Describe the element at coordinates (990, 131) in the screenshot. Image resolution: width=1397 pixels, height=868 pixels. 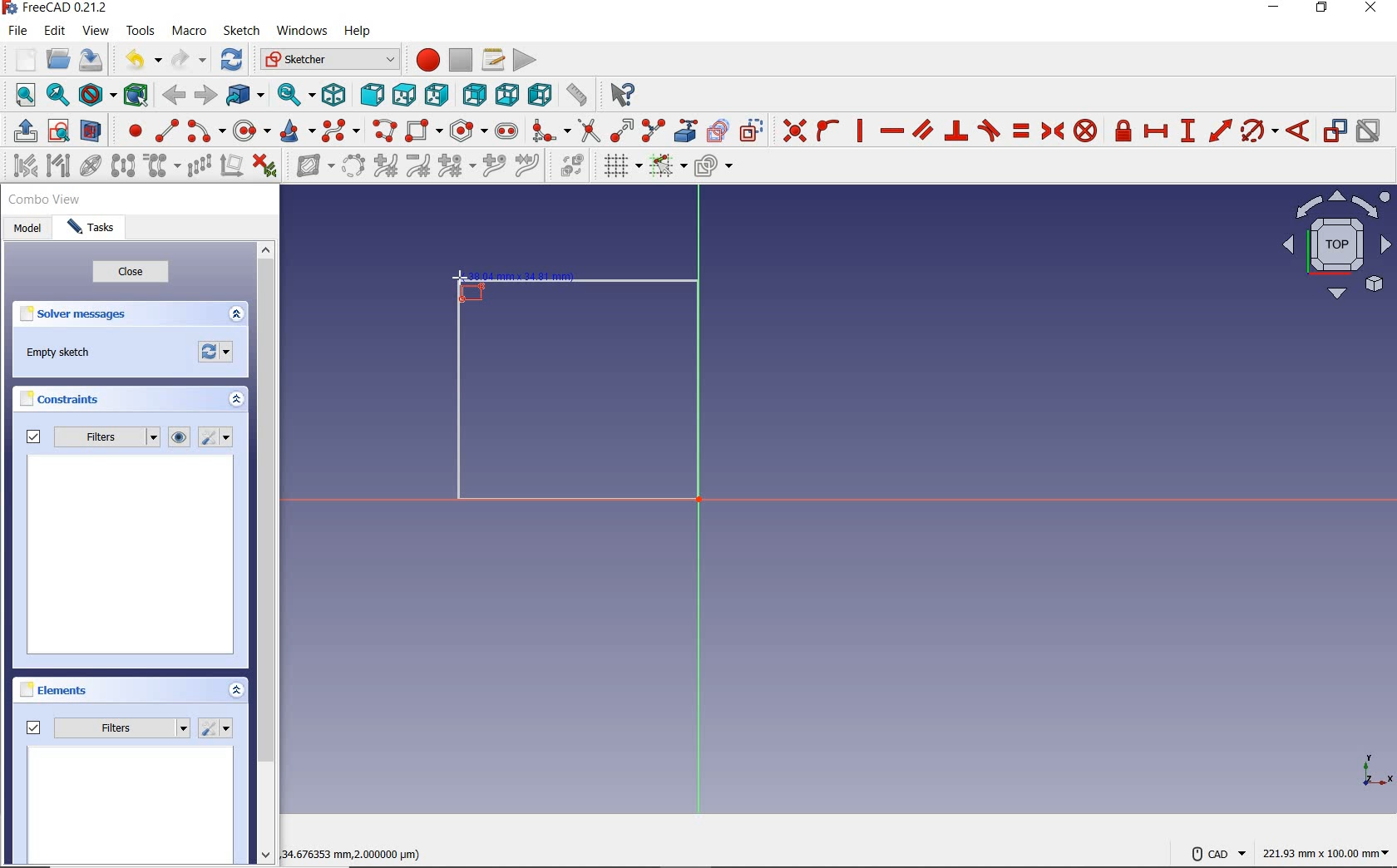
I see `constrain tangent` at that location.